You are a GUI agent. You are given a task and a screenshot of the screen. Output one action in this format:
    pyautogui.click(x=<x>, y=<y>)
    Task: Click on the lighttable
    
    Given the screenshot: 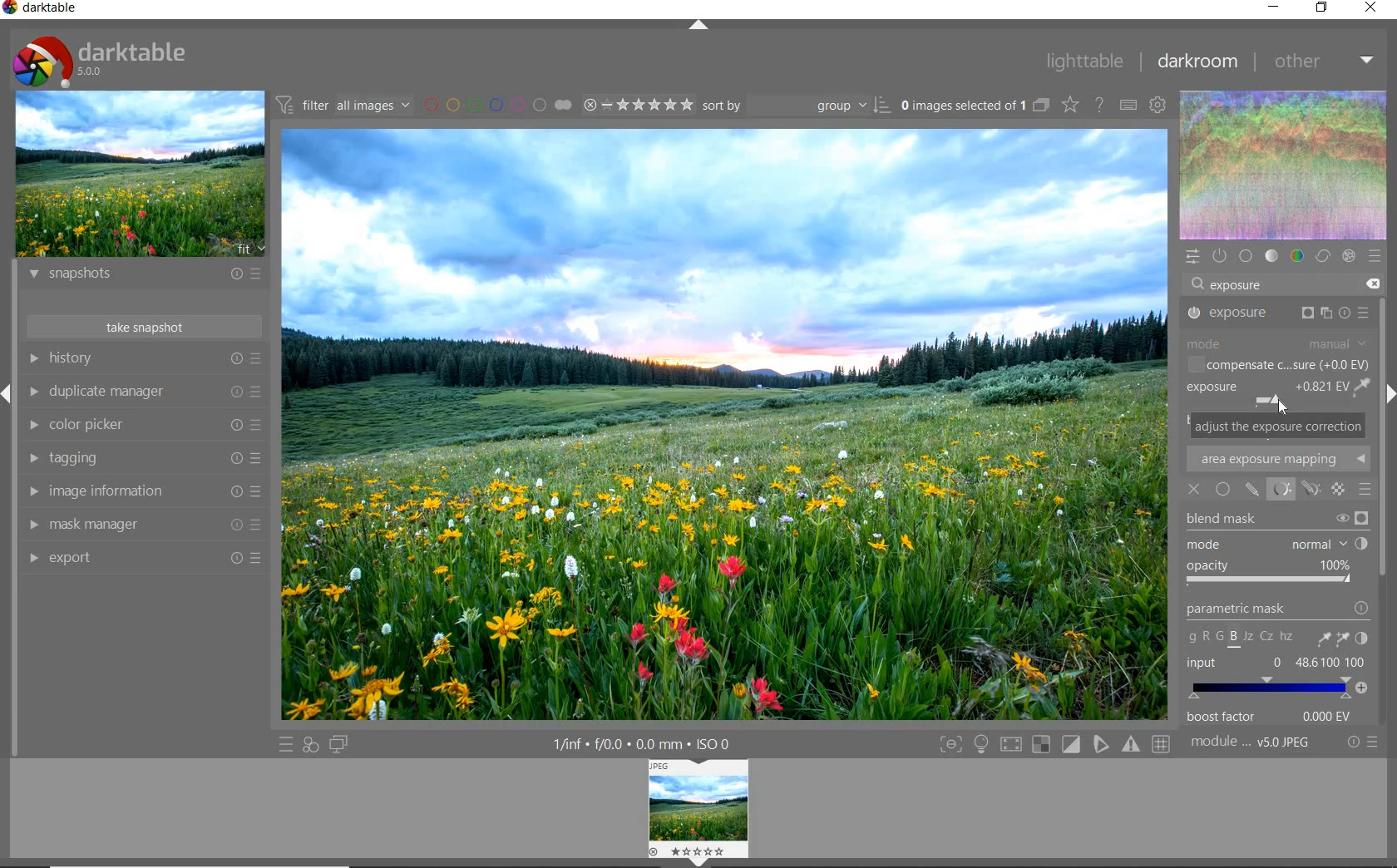 What is the action you would take?
    pyautogui.click(x=1086, y=63)
    